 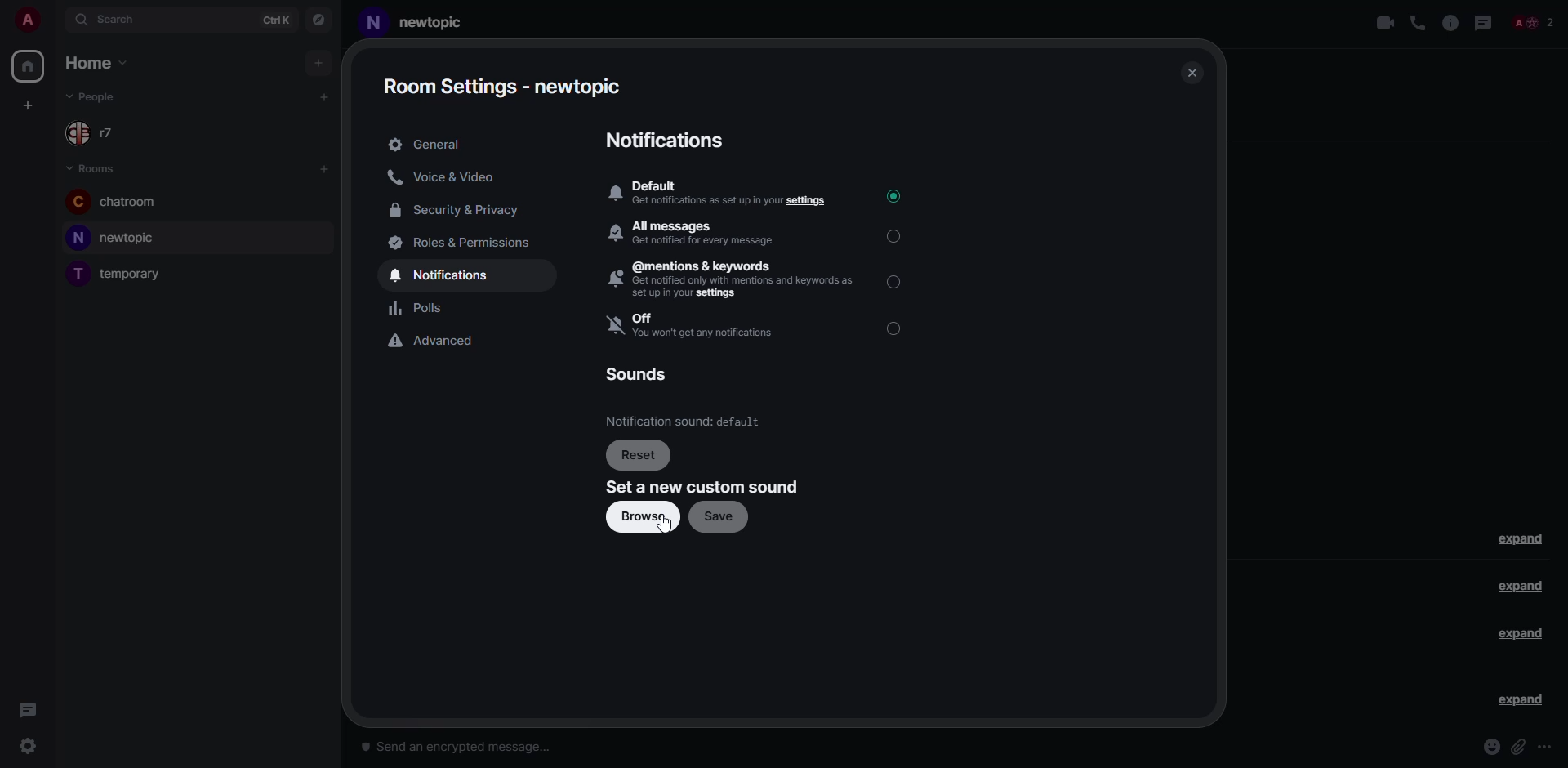 I want to click on Notification sound.default, so click(x=686, y=421).